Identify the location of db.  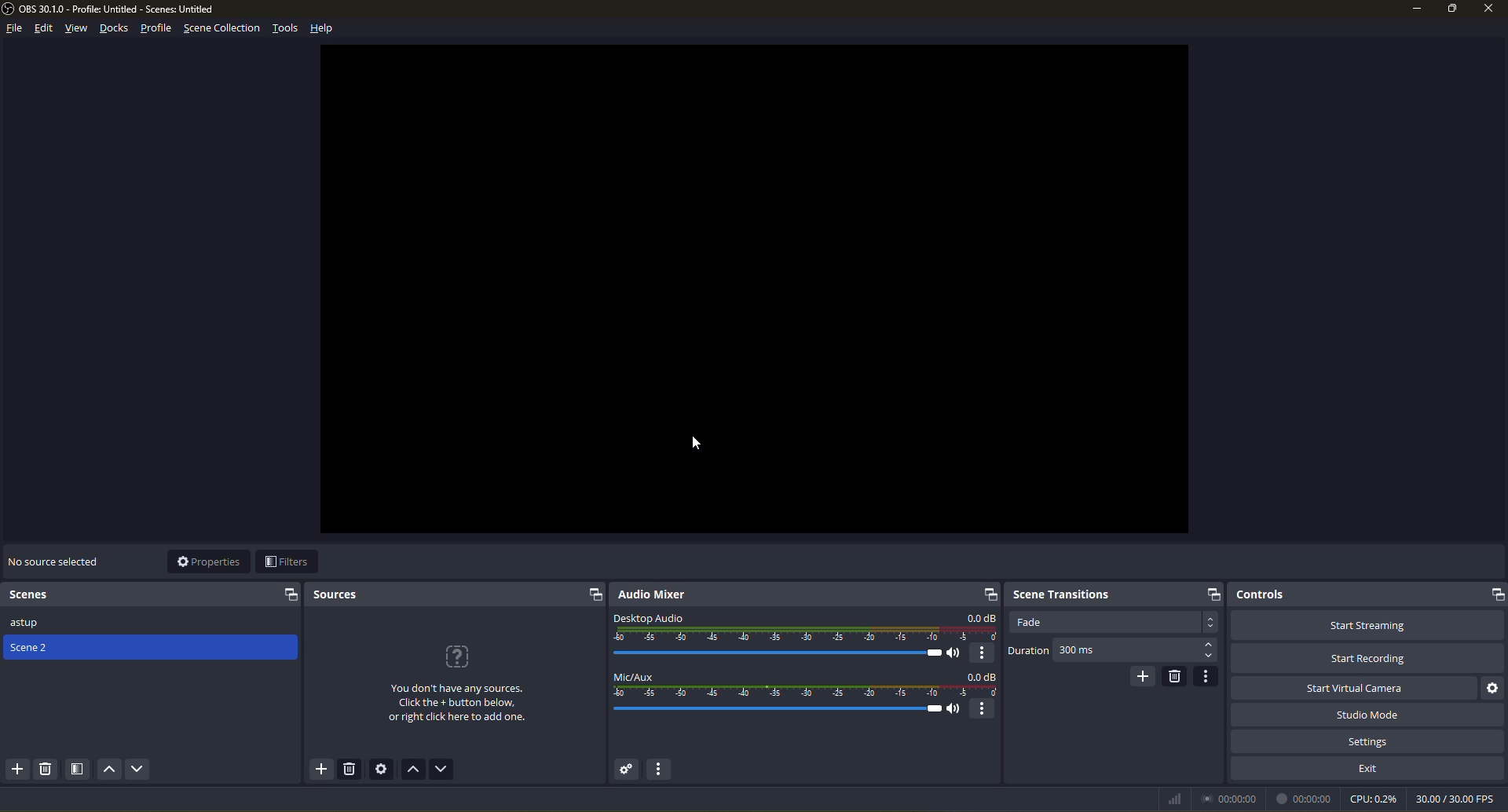
(979, 617).